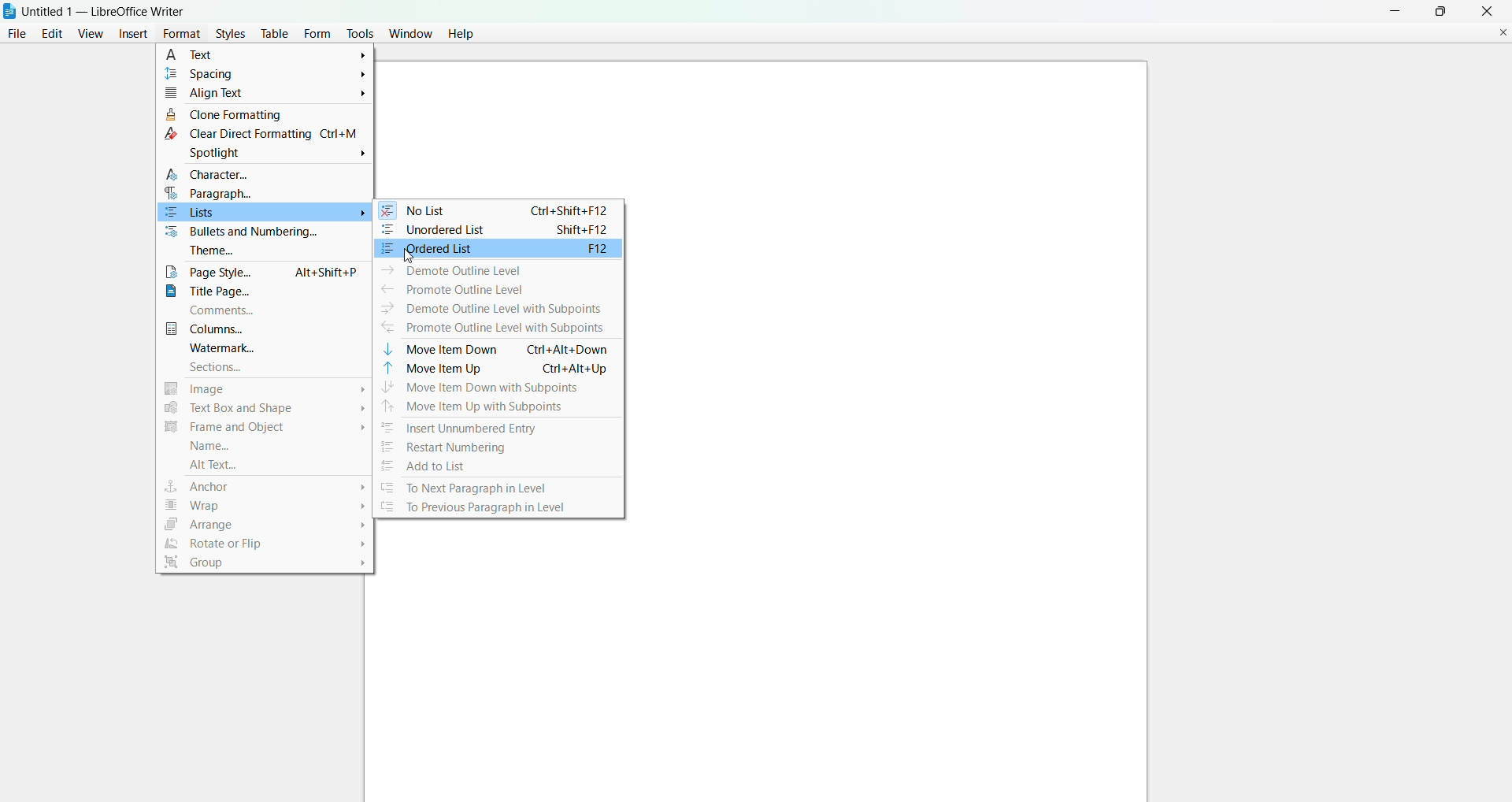  What do you see at coordinates (52, 35) in the screenshot?
I see `edit` at bounding box center [52, 35].